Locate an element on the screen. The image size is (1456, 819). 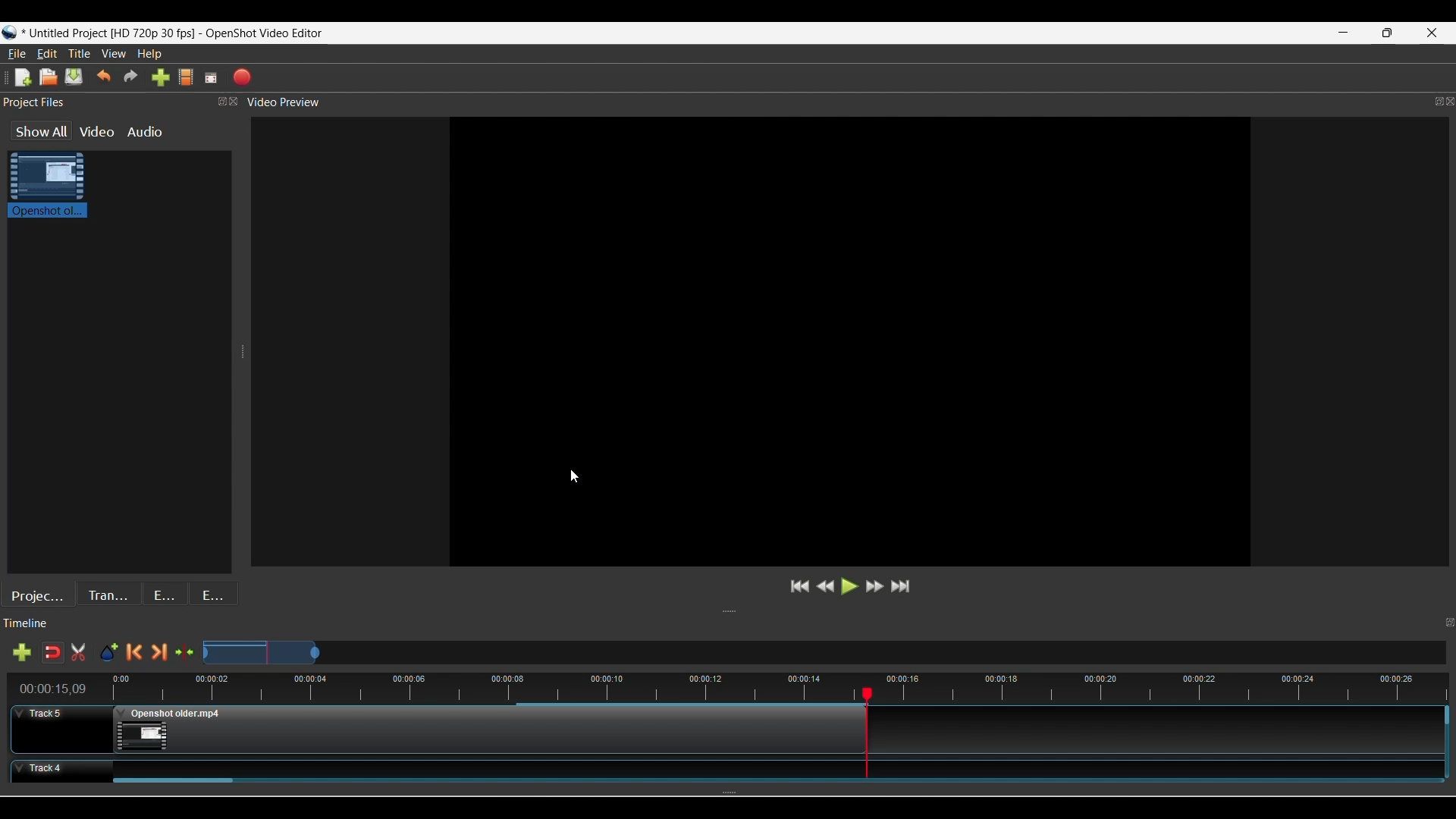
New file is located at coordinates (23, 77).